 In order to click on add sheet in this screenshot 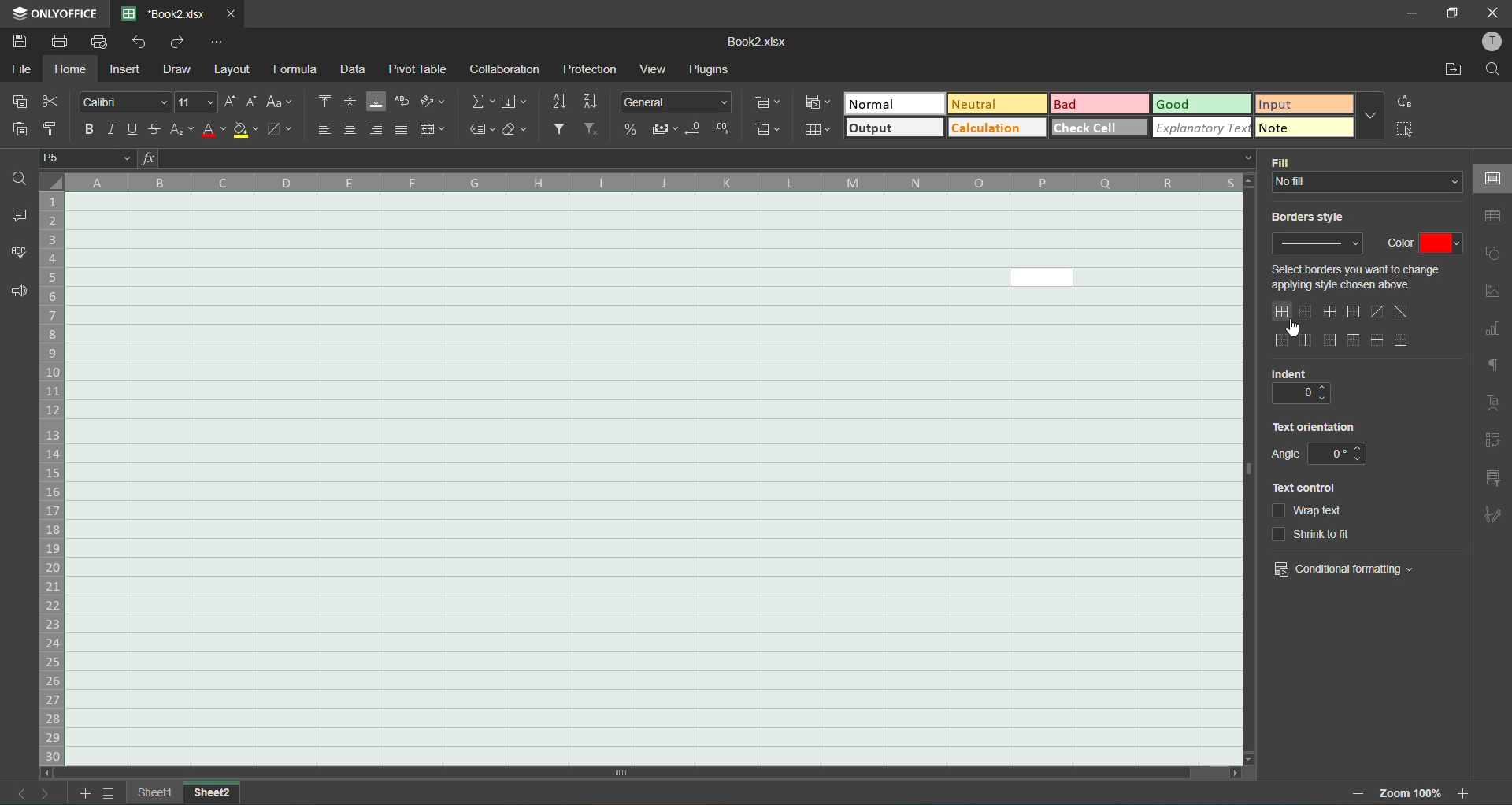, I will do `click(83, 793)`.